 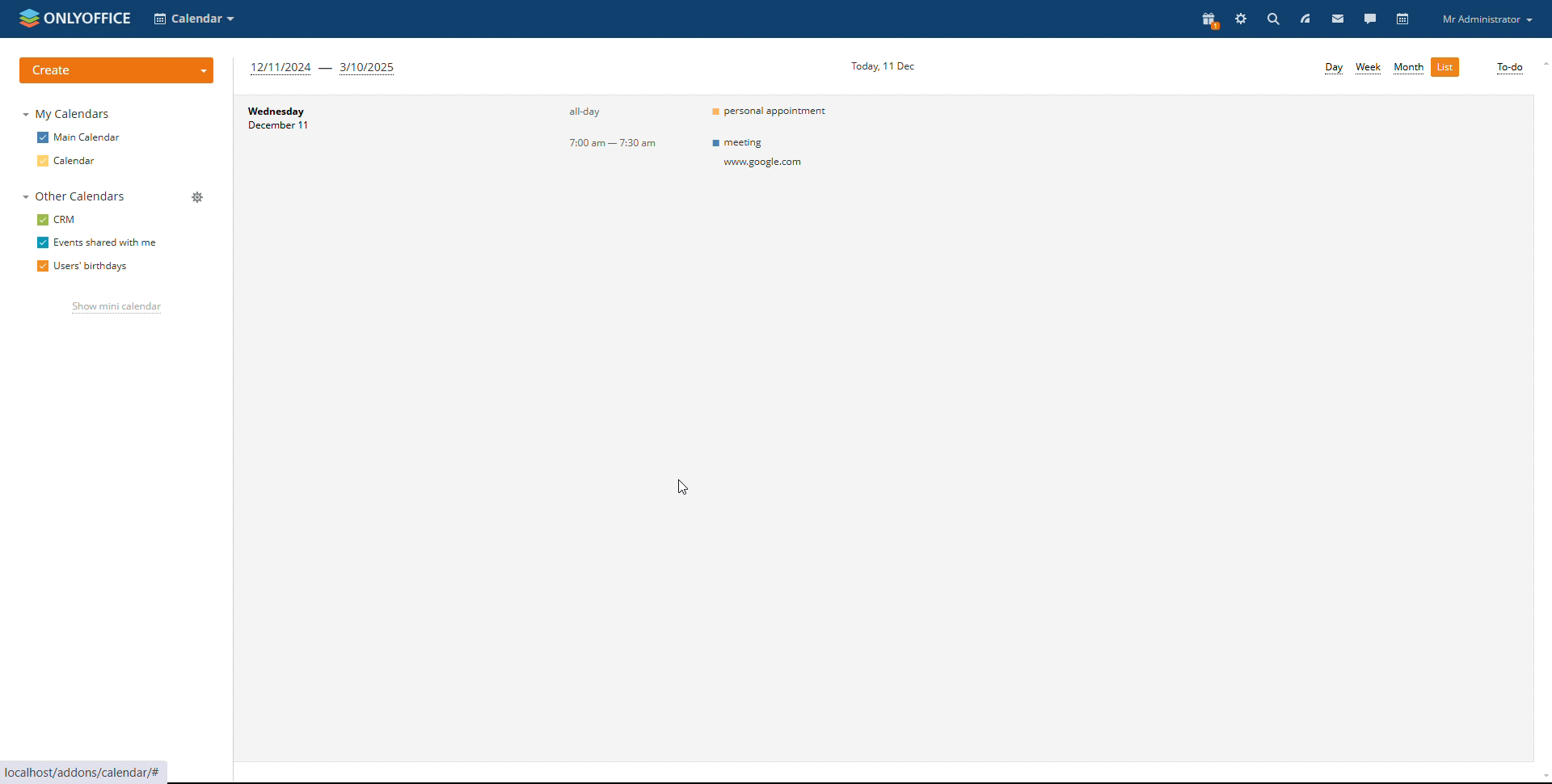 What do you see at coordinates (1241, 18) in the screenshot?
I see `settings` at bounding box center [1241, 18].